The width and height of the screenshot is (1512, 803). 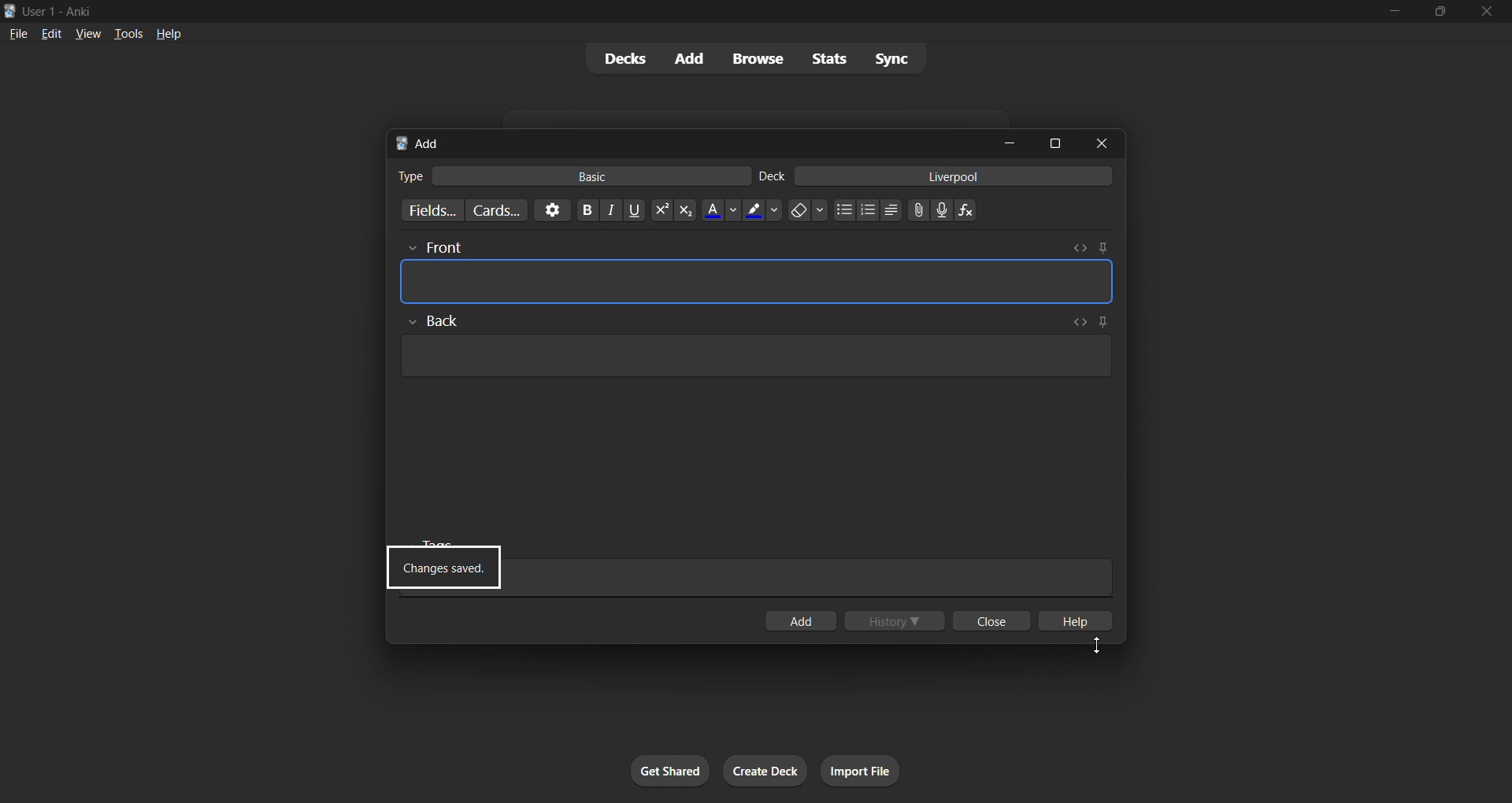 What do you see at coordinates (865, 772) in the screenshot?
I see `import file` at bounding box center [865, 772].